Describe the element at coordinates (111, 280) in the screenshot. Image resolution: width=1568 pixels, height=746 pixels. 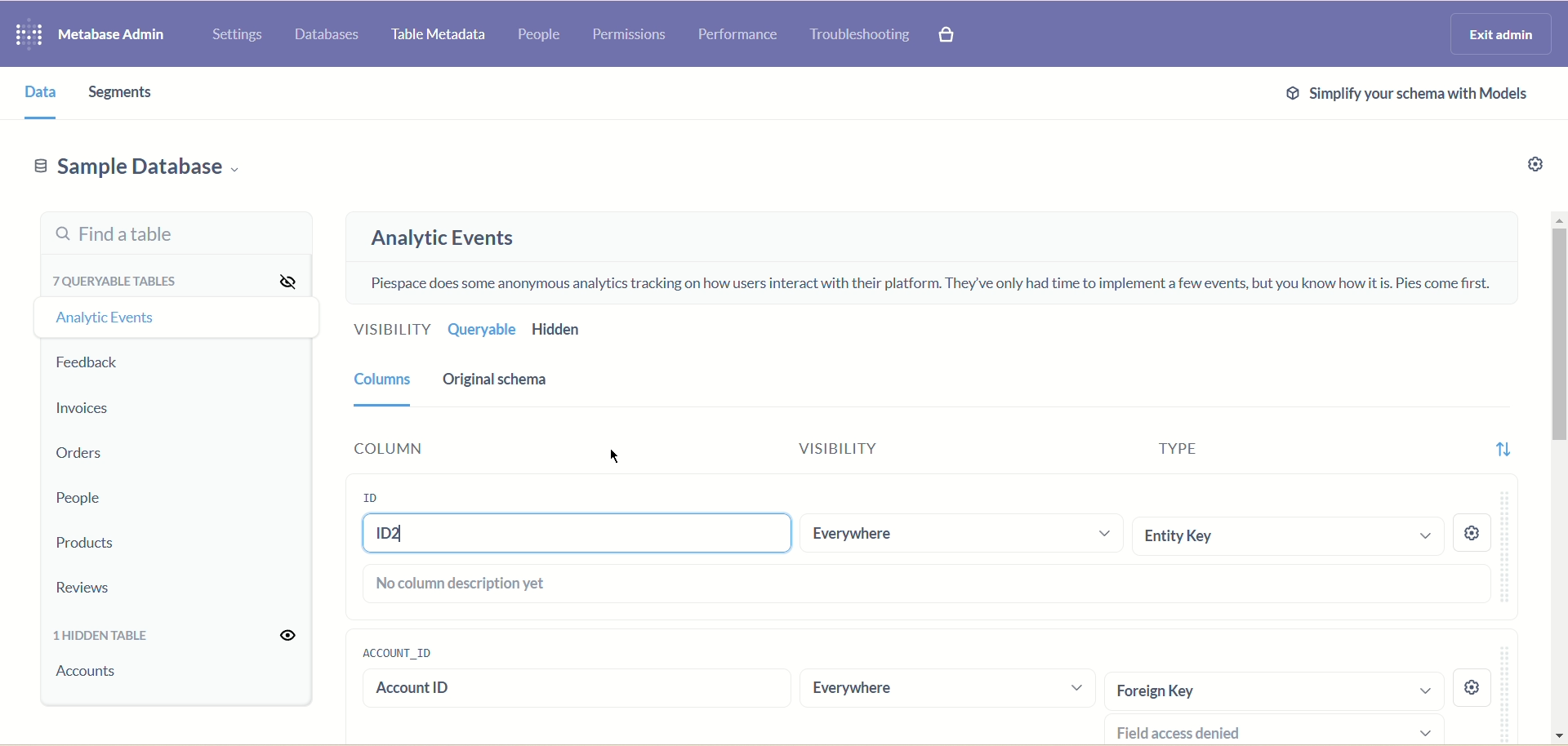
I see `7 queryable tables` at that location.